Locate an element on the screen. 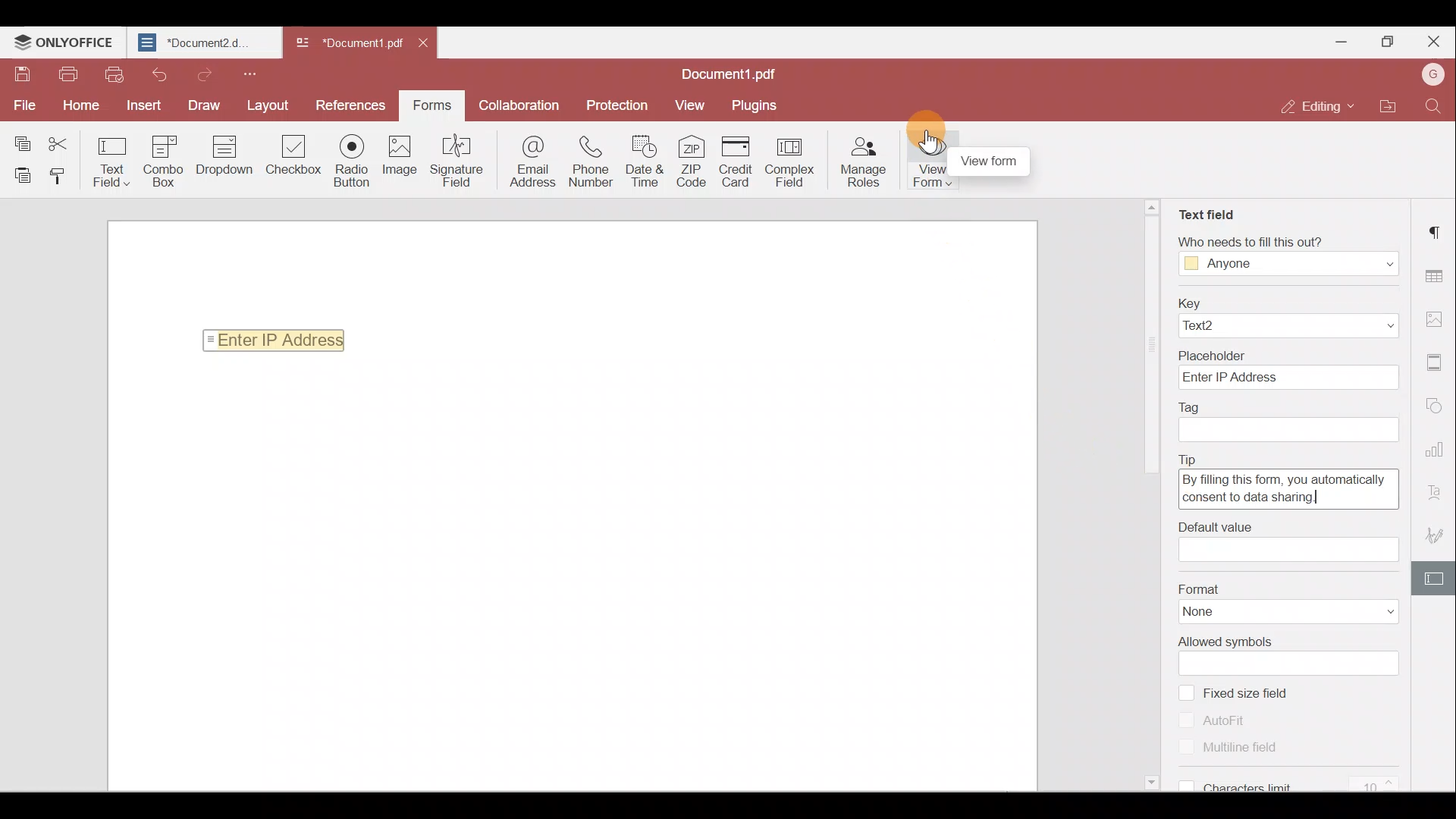 This screenshot has width=1456, height=819. Table settings is located at coordinates (1436, 271).